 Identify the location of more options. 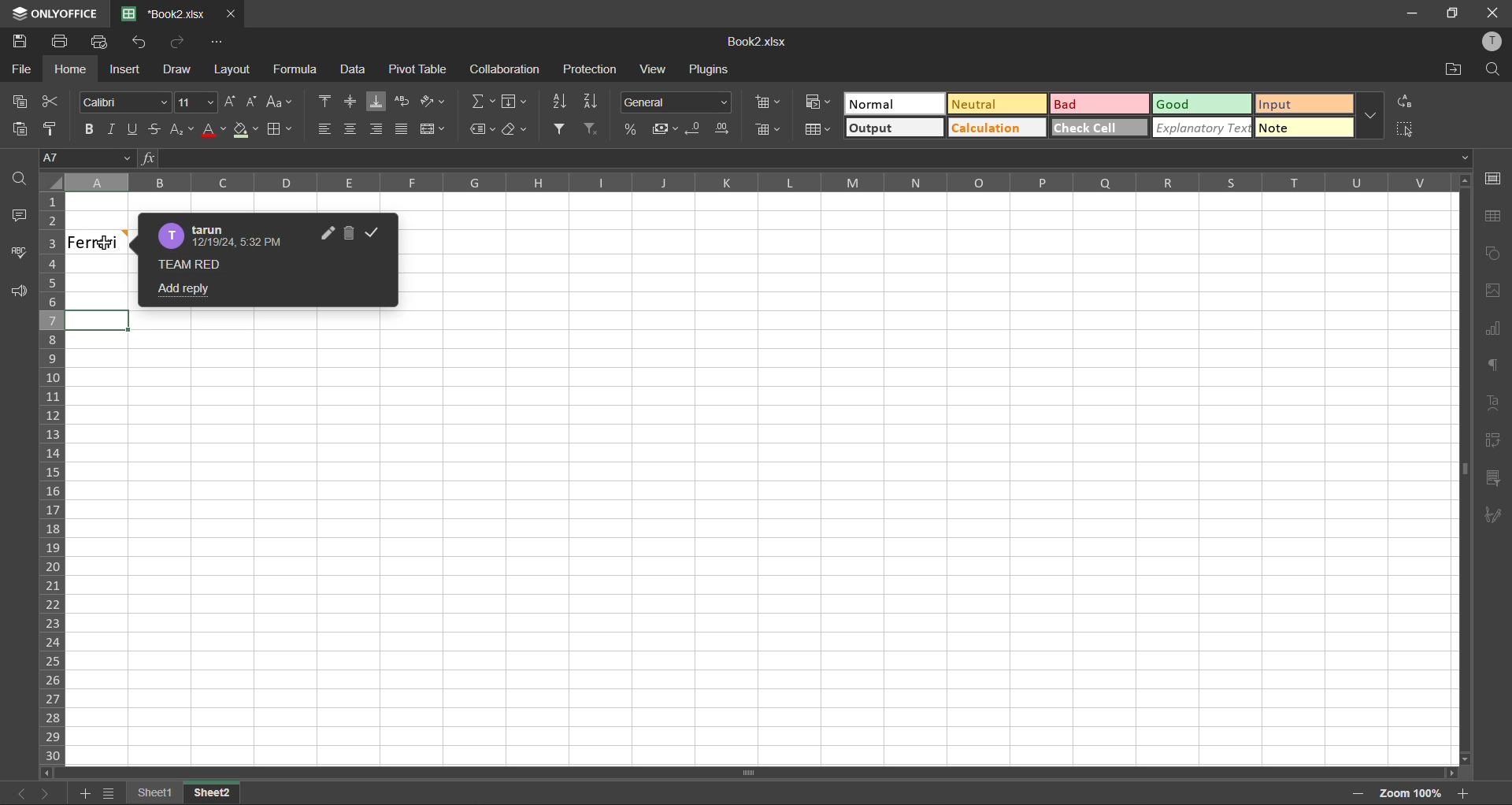
(1366, 115).